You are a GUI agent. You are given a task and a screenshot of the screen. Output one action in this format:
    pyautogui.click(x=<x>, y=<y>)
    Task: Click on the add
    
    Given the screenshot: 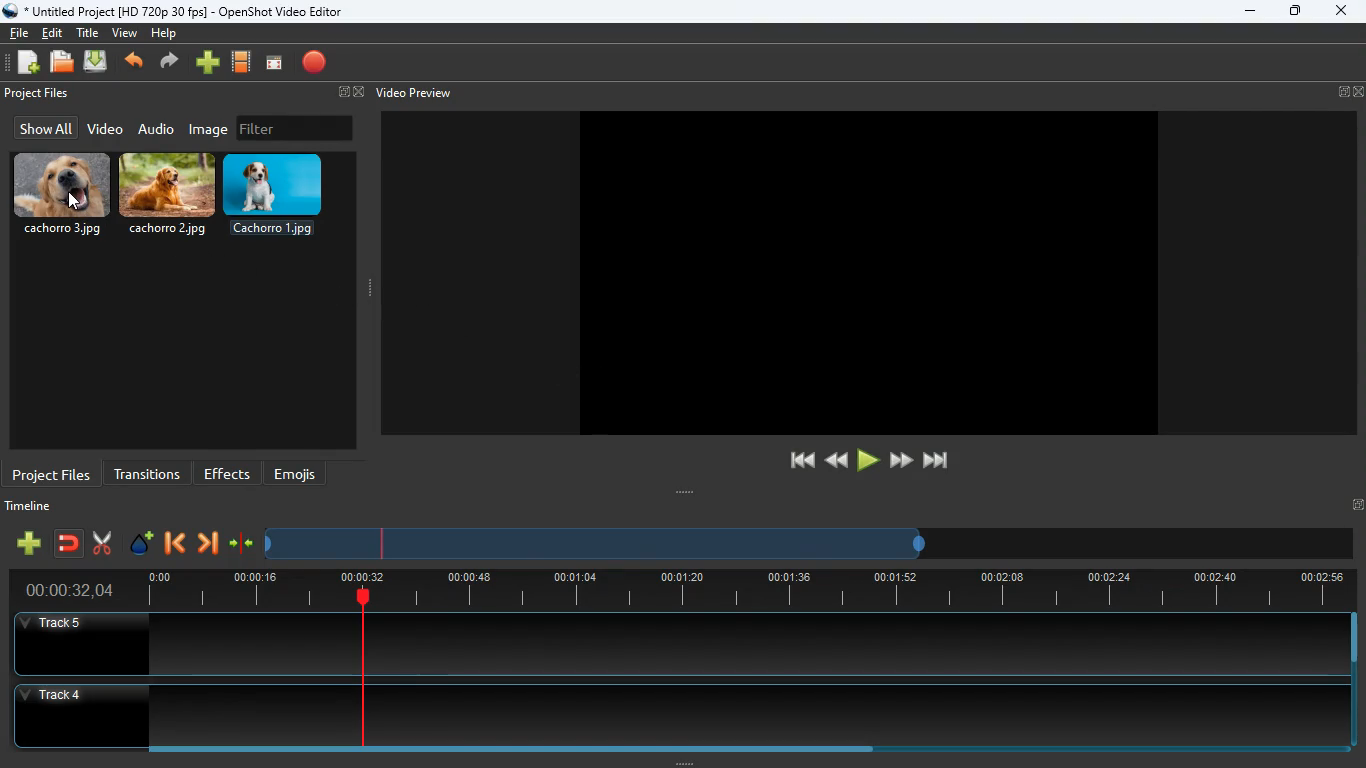 What is the action you would take?
    pyautogui.click(x=208, y=63)
    